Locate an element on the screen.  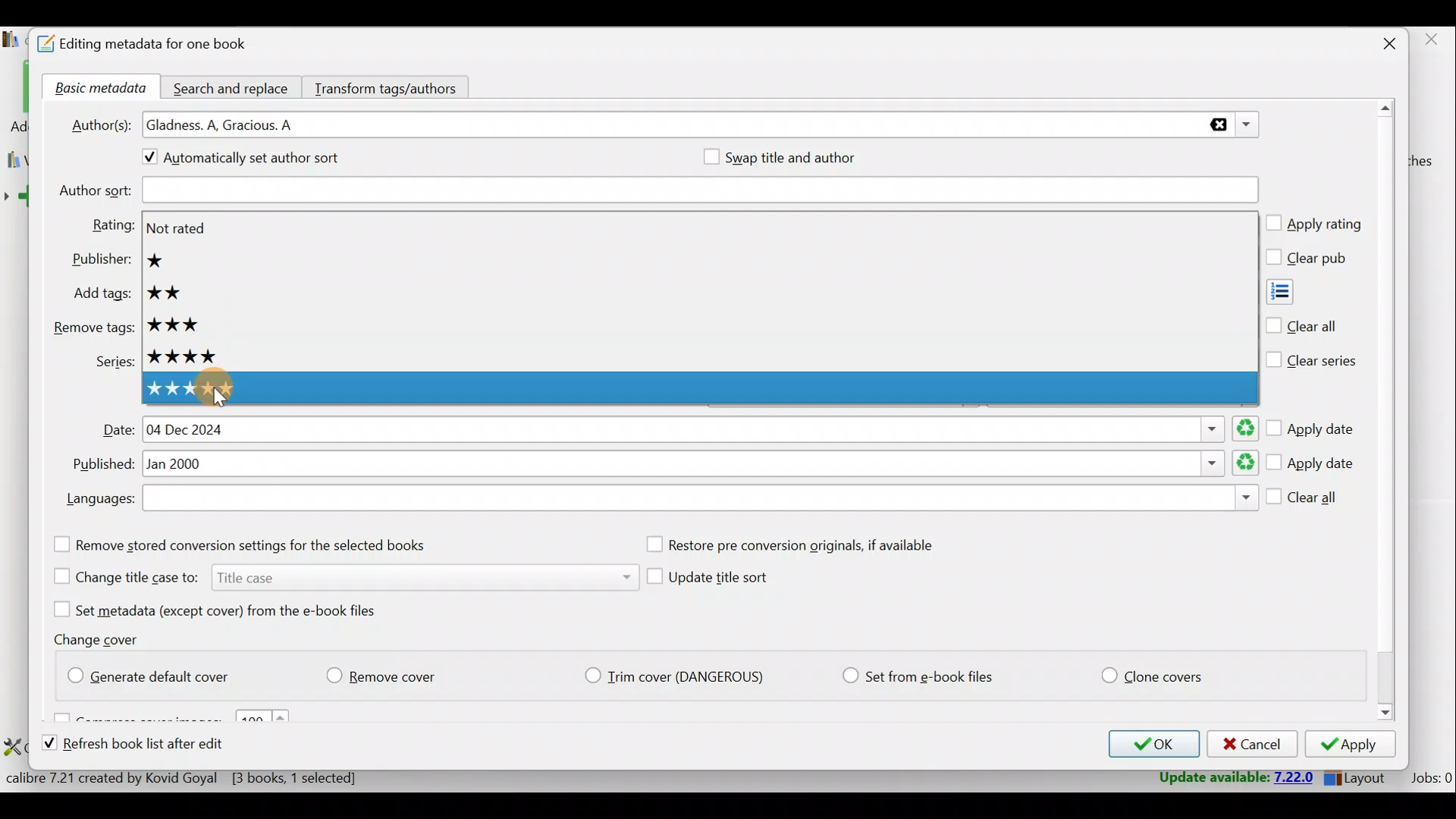
Set metadata (except cover) from the e-book files is located at coordinates (234, 609).